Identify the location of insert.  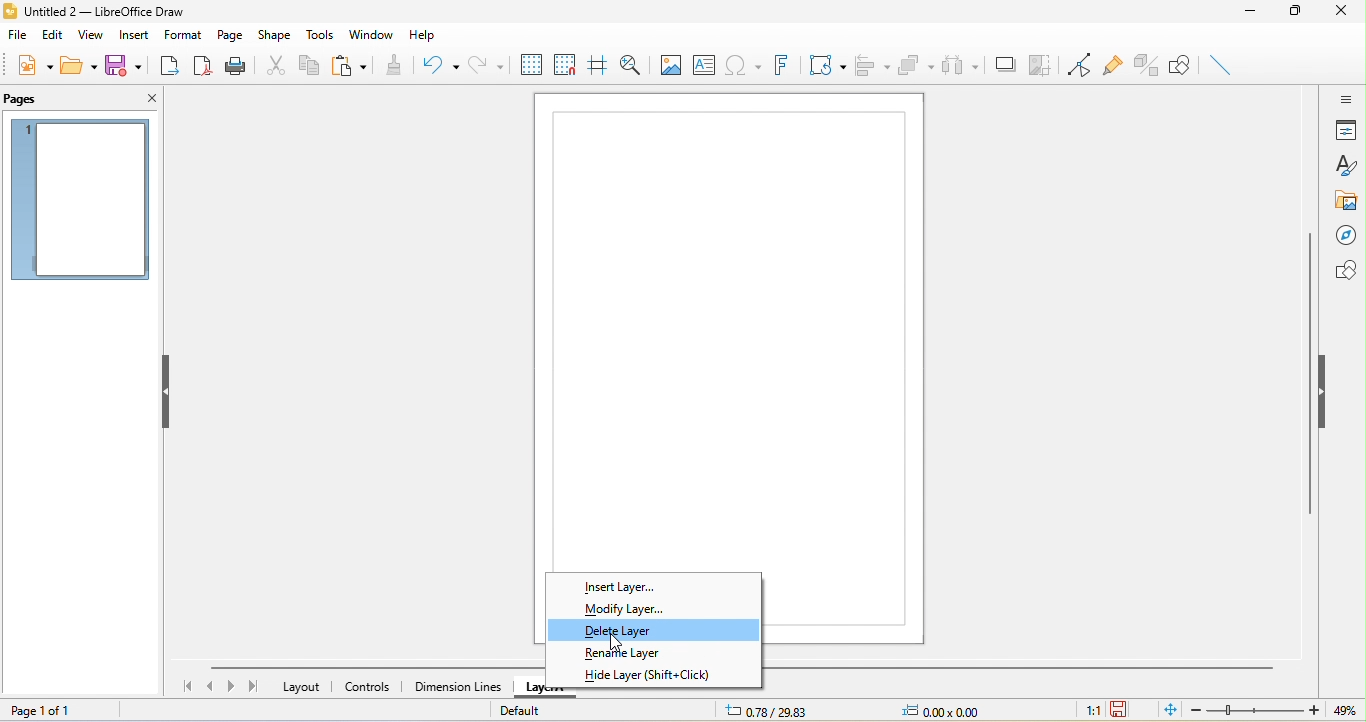
(136, 36).